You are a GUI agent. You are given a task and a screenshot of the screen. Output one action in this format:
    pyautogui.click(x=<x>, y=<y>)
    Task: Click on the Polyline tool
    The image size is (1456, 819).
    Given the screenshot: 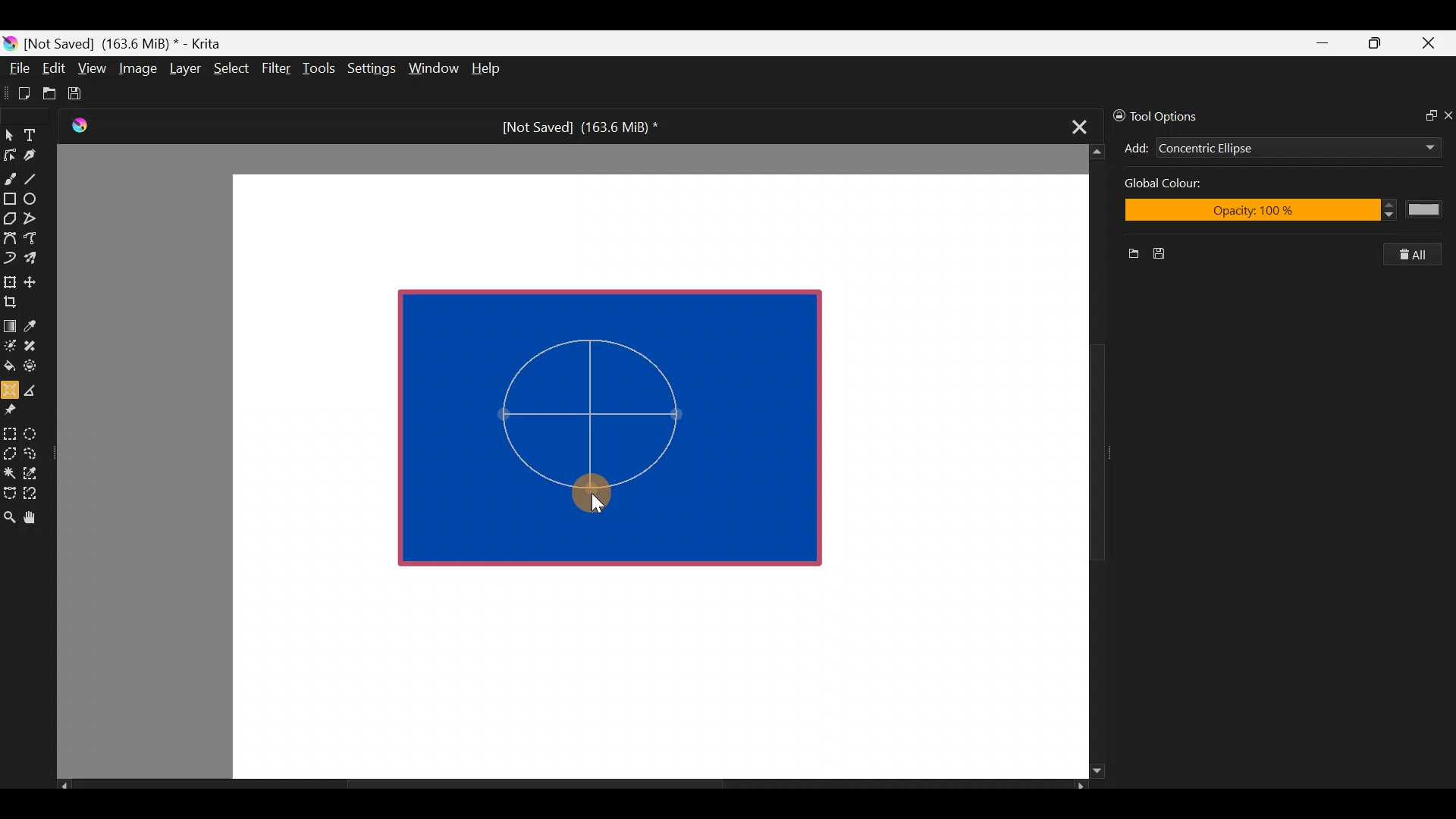 What is the action you would take?
    pyautogui.click(x=36, y=219)
    